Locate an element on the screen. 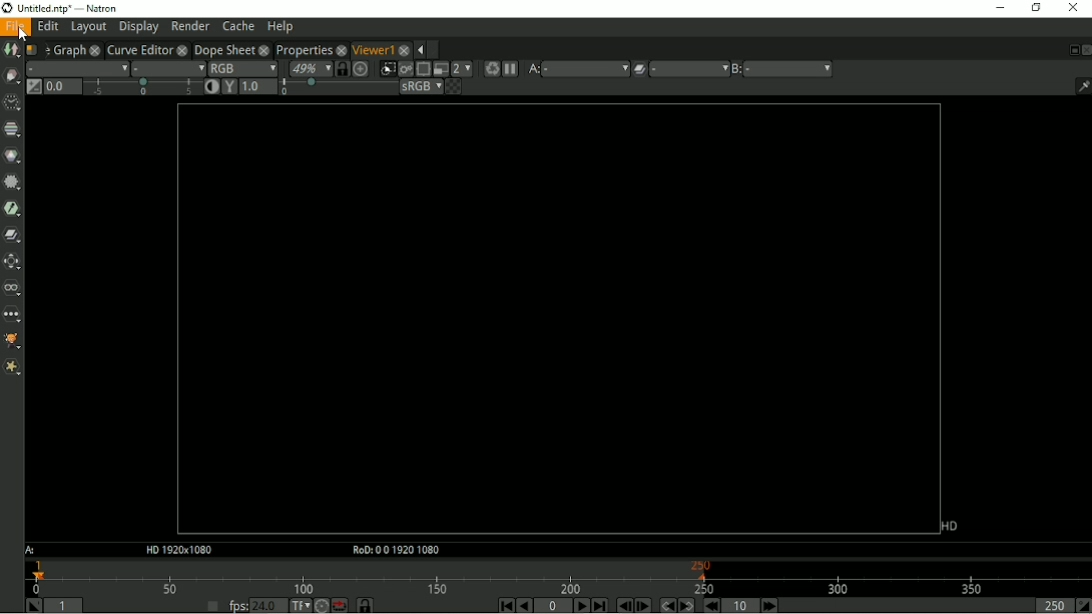 This screenshot has width=1092, height=614. Pause updates is located at coordinates (510, 69).